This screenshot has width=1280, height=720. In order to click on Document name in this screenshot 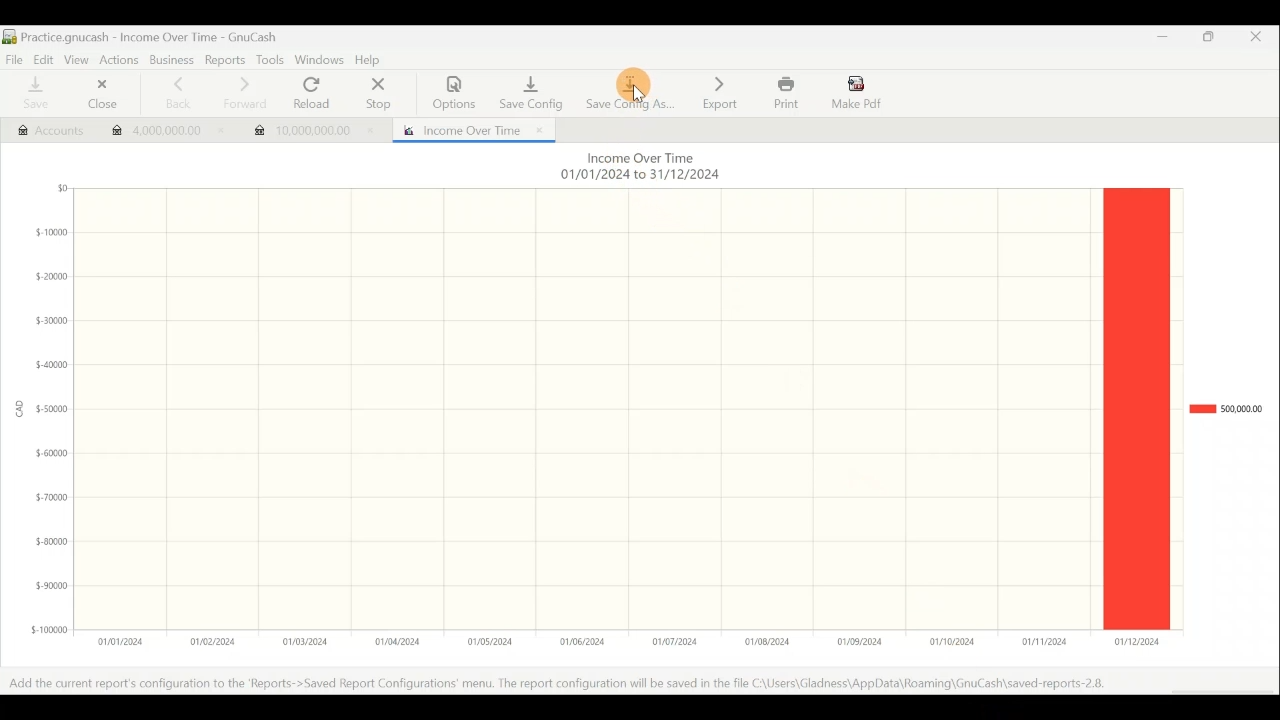, I will do `click(150, 37)`.